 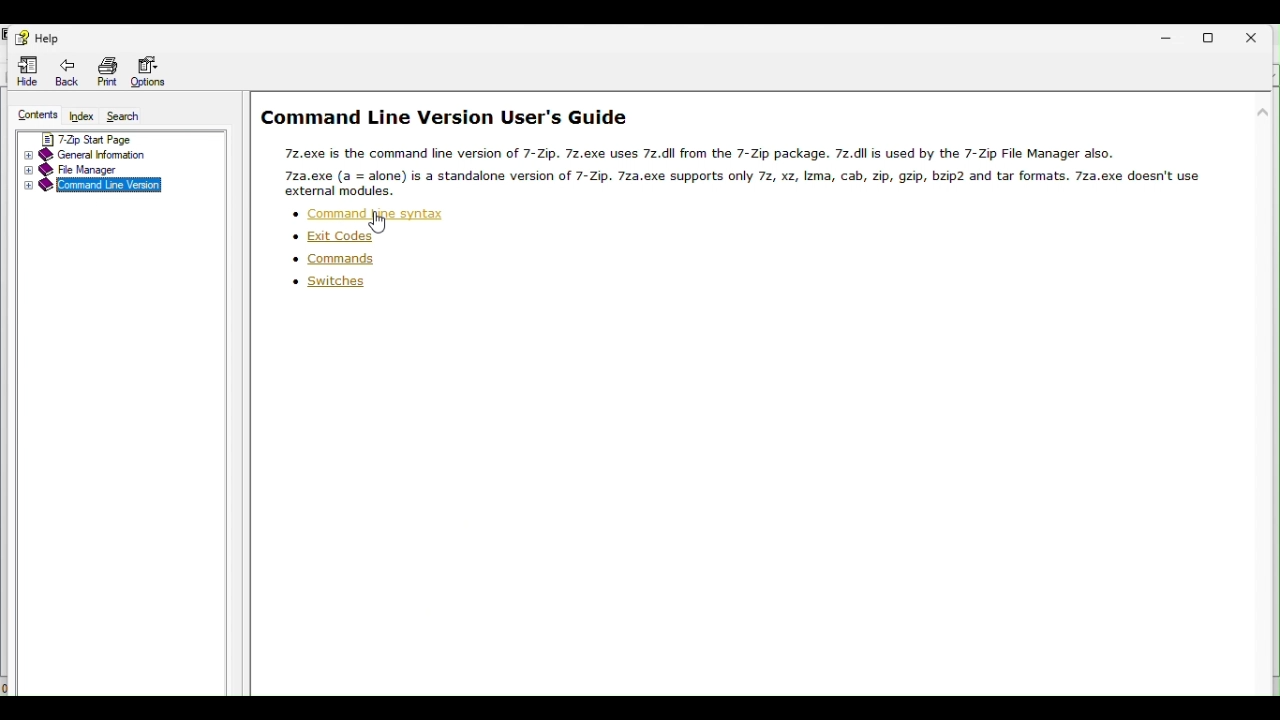 I want to click on Switches, so click(x=322, y=283).